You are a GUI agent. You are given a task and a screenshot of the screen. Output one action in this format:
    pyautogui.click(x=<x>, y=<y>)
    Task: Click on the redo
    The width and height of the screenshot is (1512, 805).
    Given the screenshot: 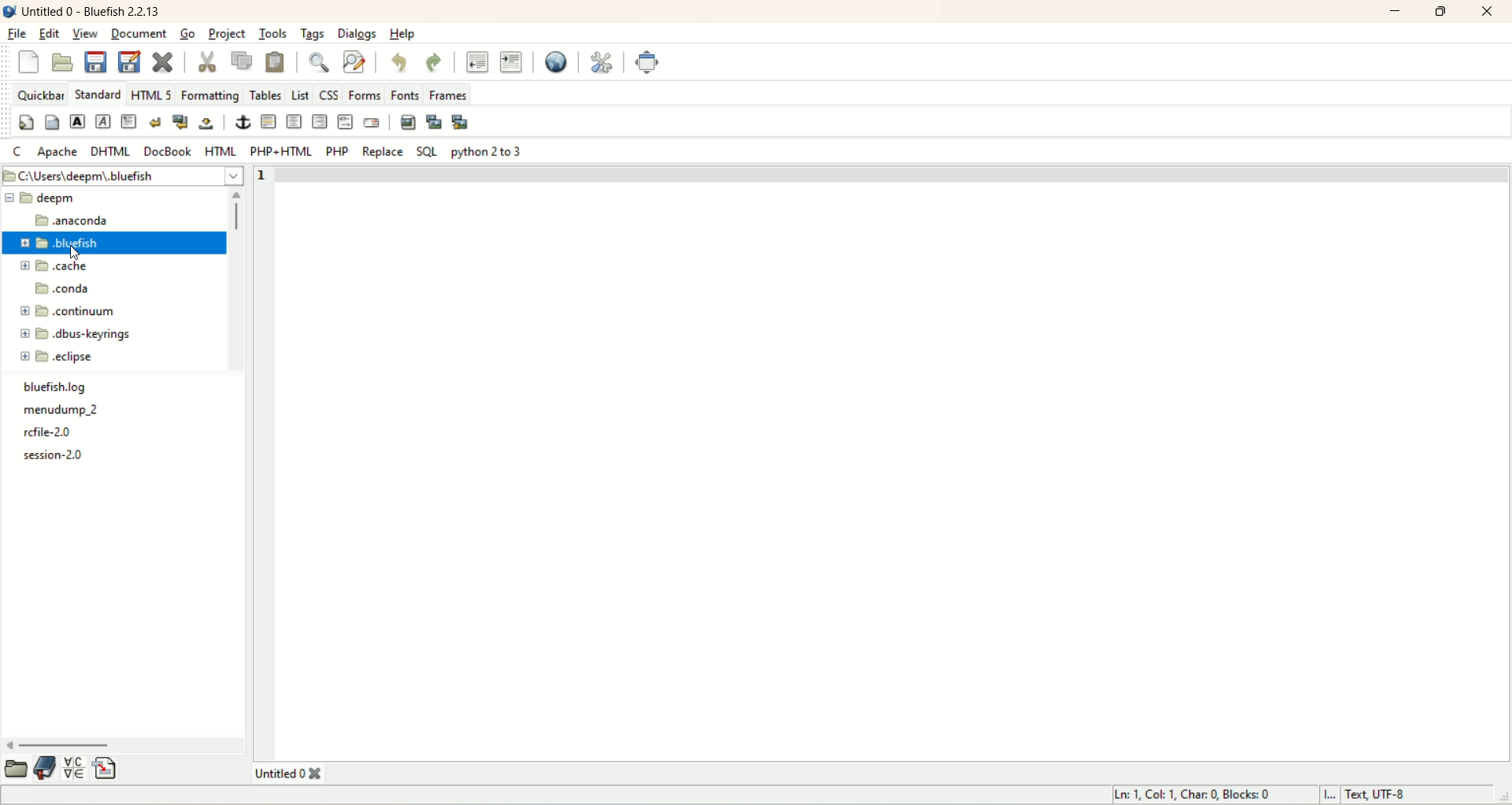 What is the action you would take?
    pyautogui.click(x=435, y=63)
    